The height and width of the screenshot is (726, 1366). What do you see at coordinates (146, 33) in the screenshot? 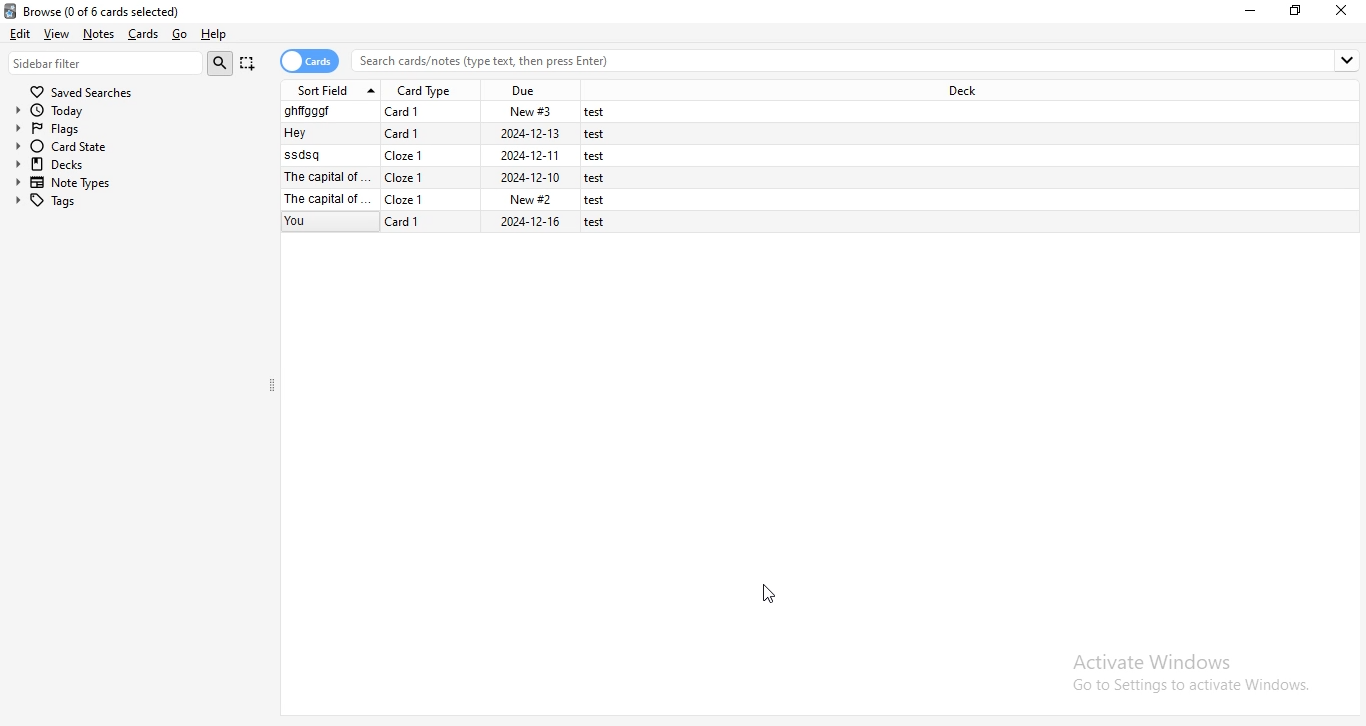
I see `Cards` at bounding box center [146, 33].